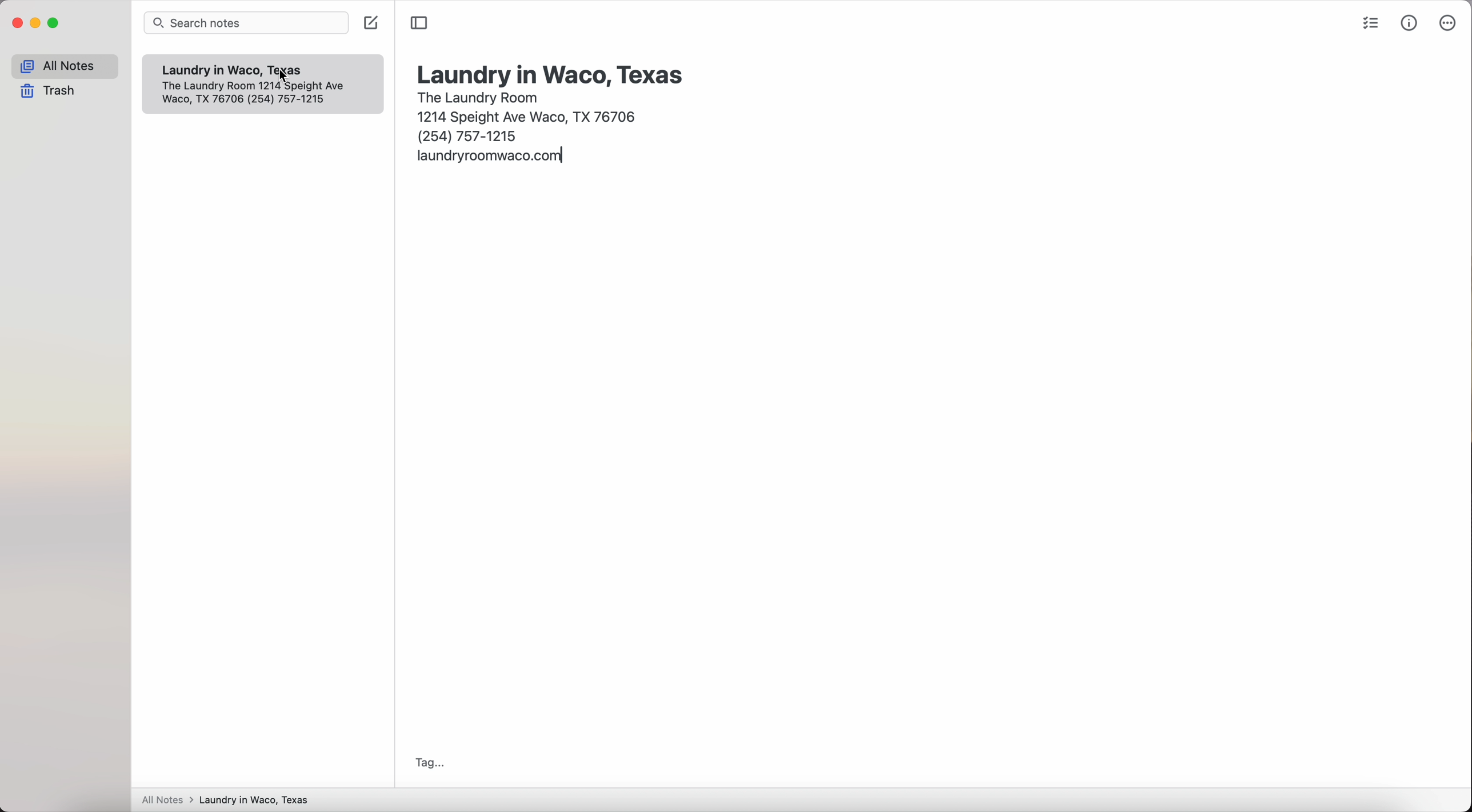 This screenshot has height=812, width=1472. Describe the element at coordinates (249, 24) in the screenshot. I see `search bar` at that location.